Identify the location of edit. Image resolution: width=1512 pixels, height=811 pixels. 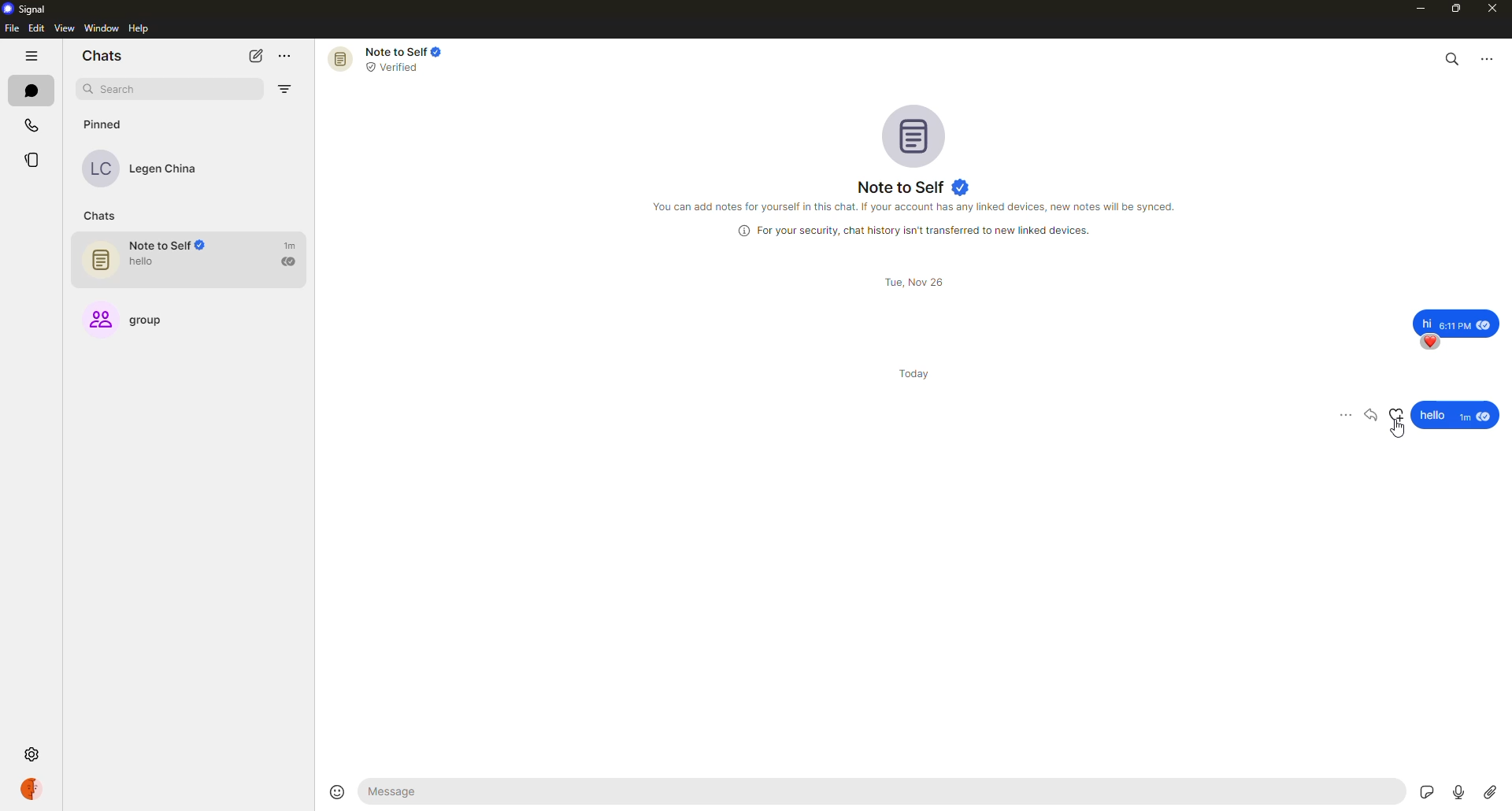
(36, 28).